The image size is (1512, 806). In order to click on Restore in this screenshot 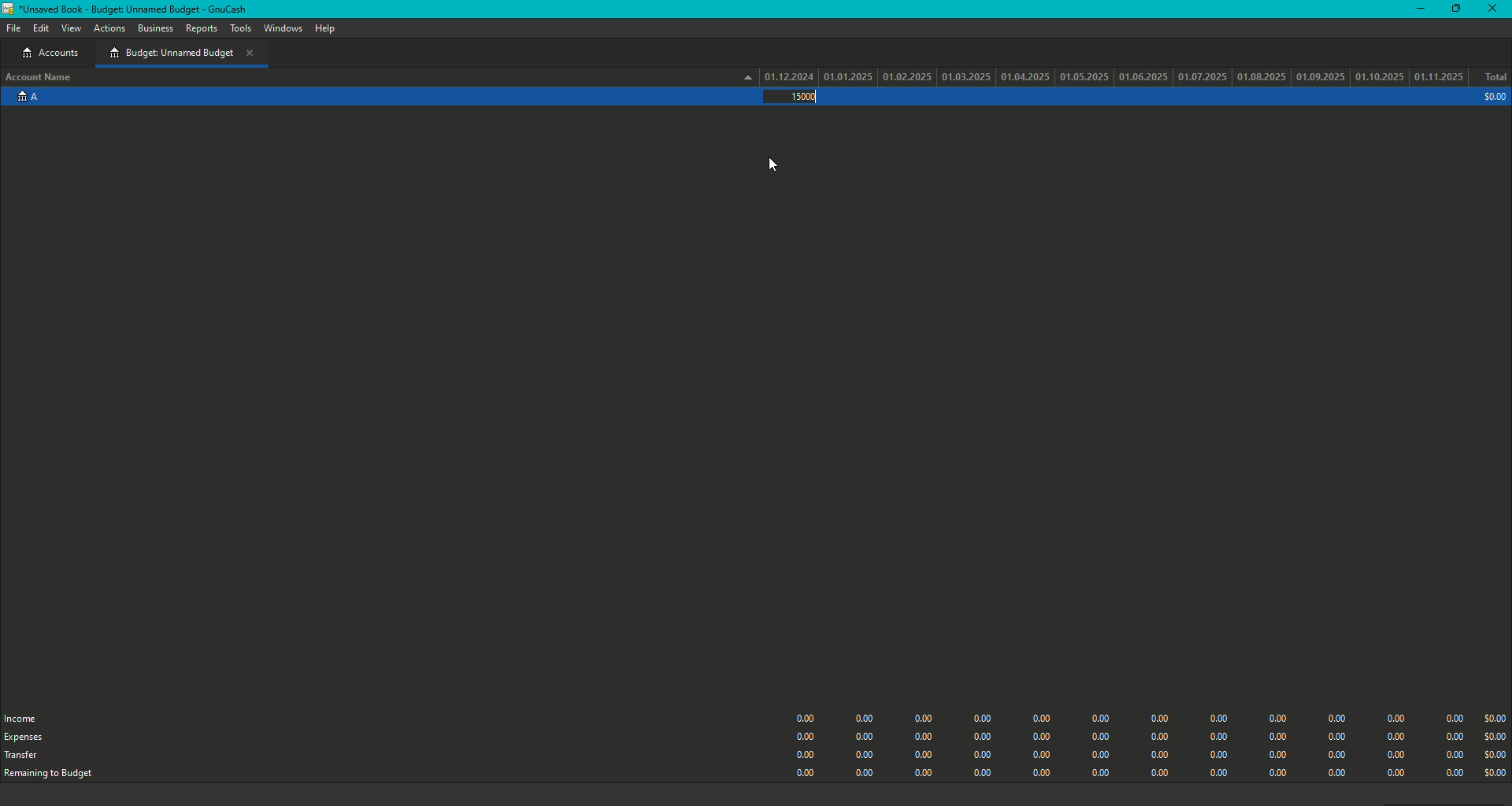, I will do `click(1454, 9)`.